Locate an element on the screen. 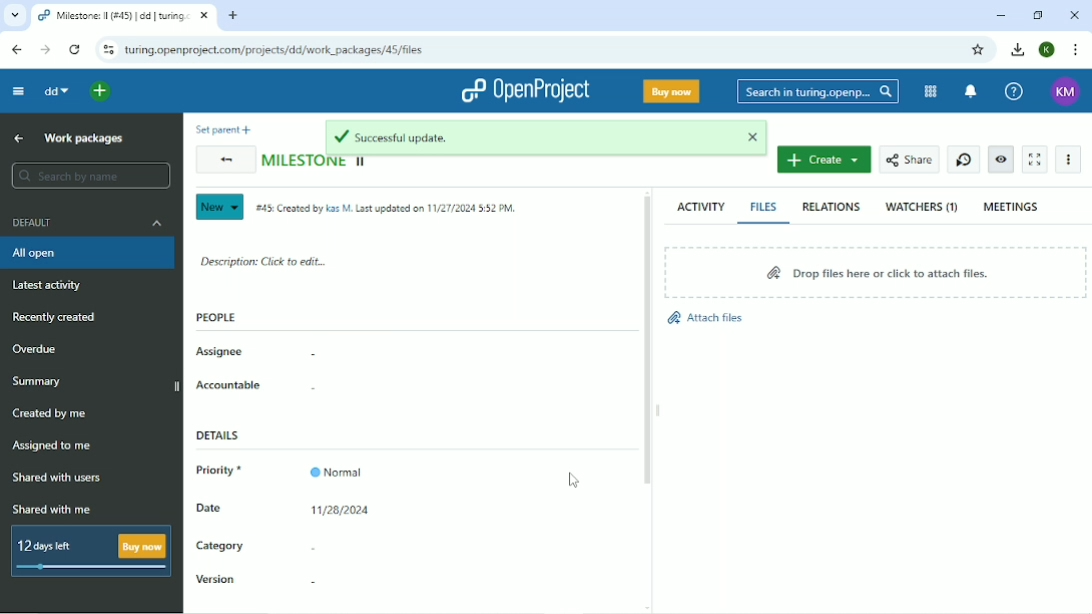  Assigned to me is located at coordinates (51, 447).